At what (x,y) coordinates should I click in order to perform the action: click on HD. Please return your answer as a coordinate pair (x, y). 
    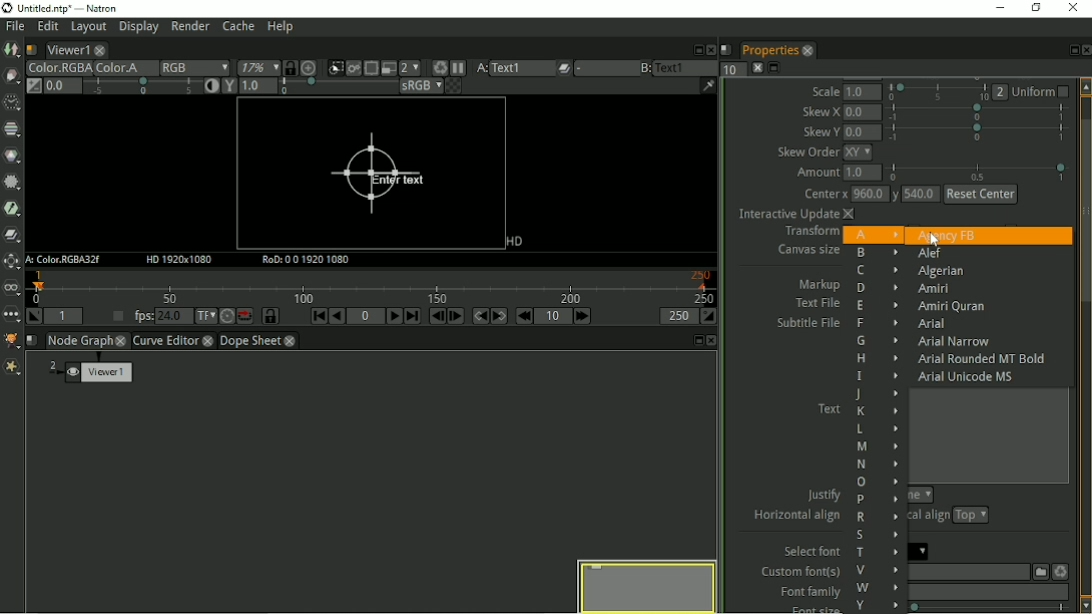
    Looking at the image, I should click on (181, 260).